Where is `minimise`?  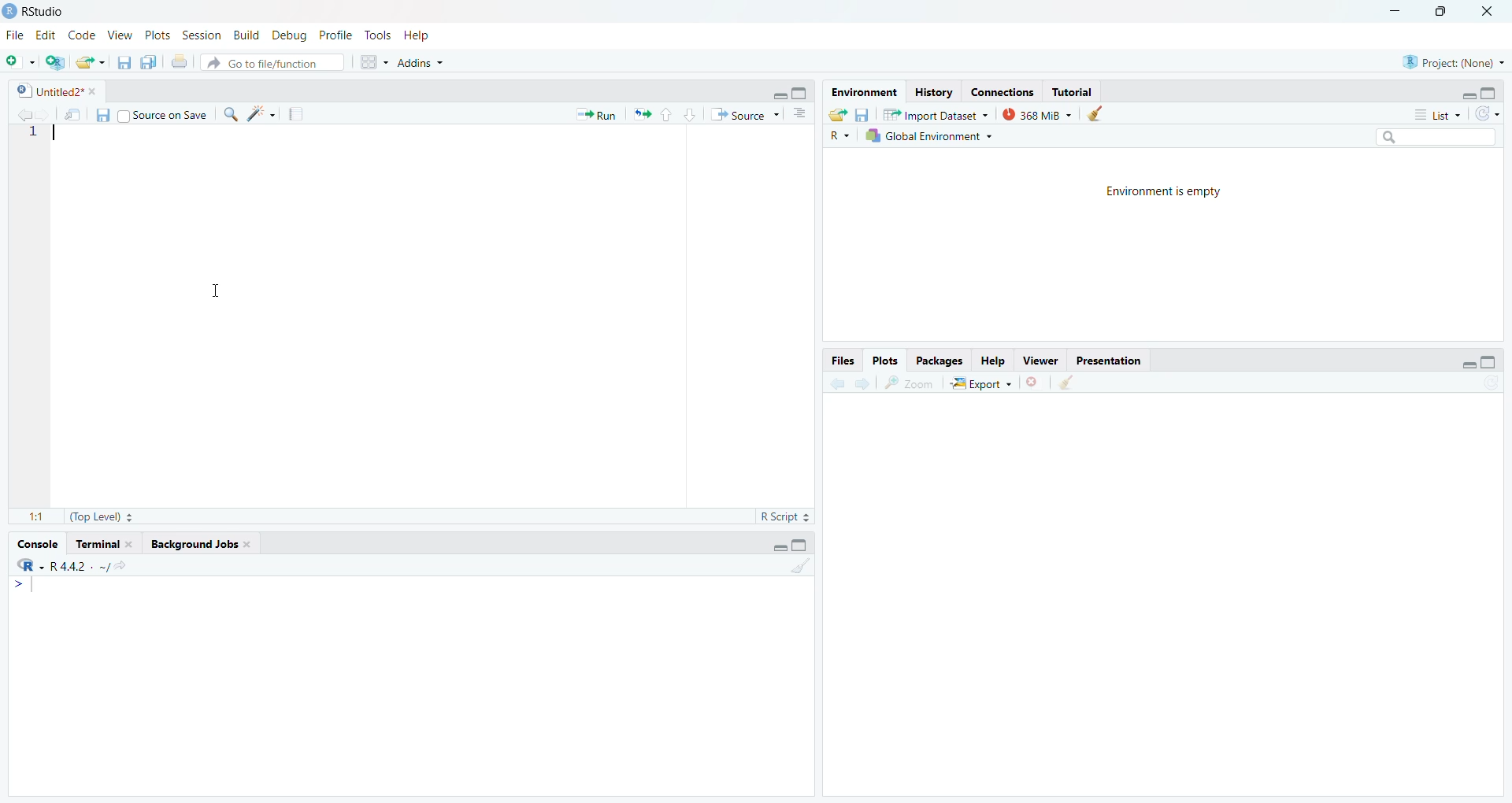 minimise is located at coordinates (1466, 92).